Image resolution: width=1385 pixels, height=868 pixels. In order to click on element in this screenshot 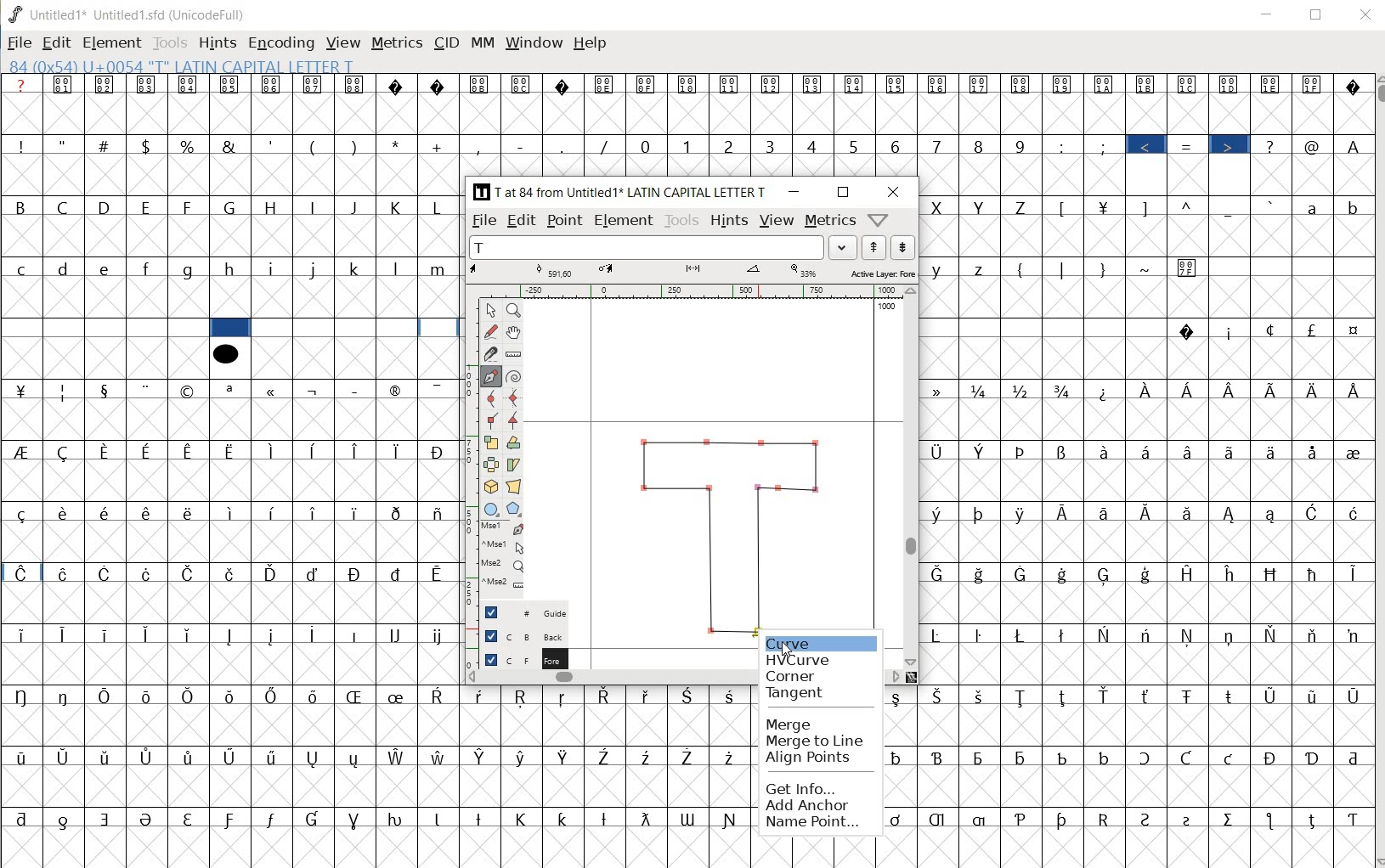, I will do `click(111, 42)`.